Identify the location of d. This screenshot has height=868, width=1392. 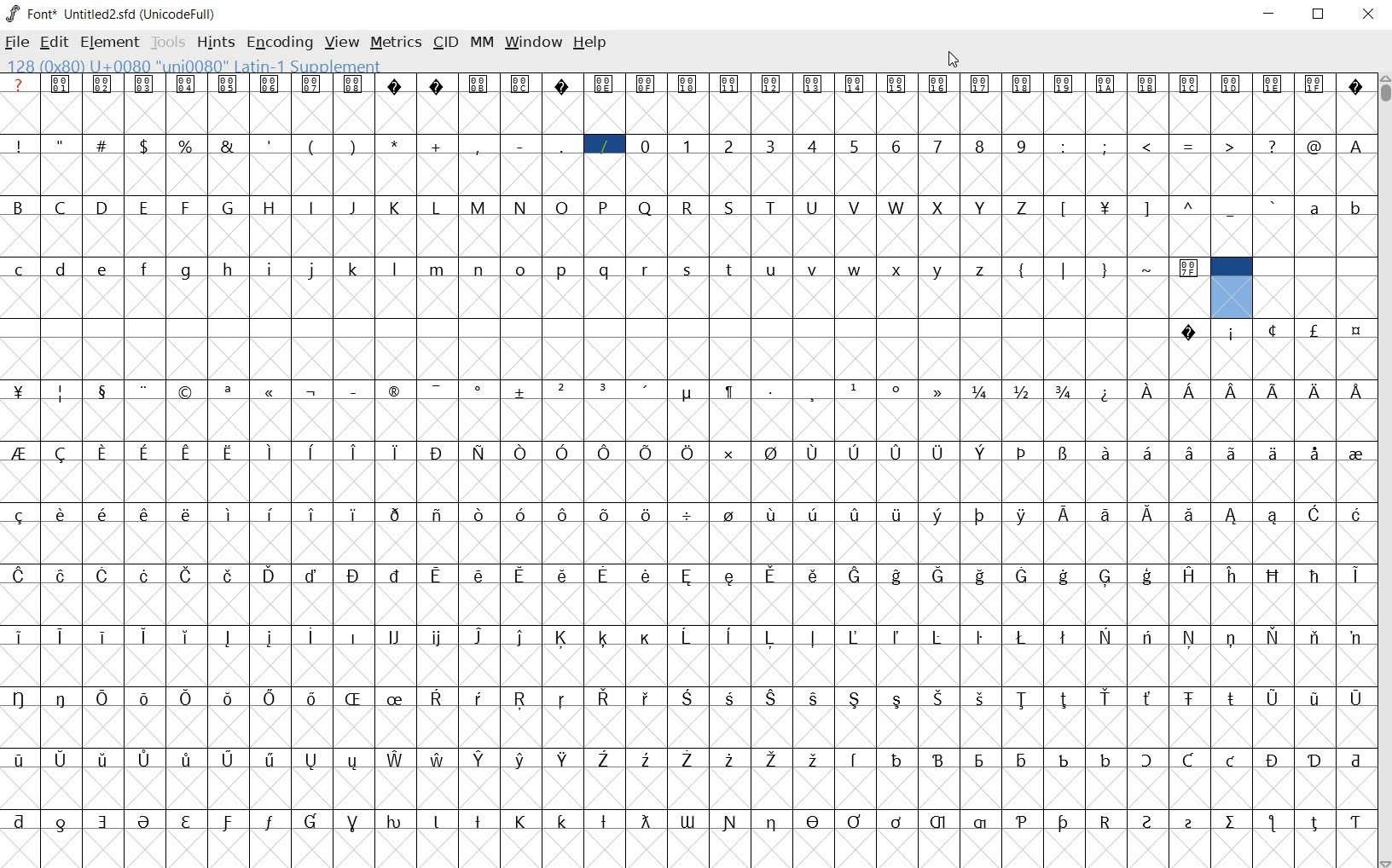
(61, 268).